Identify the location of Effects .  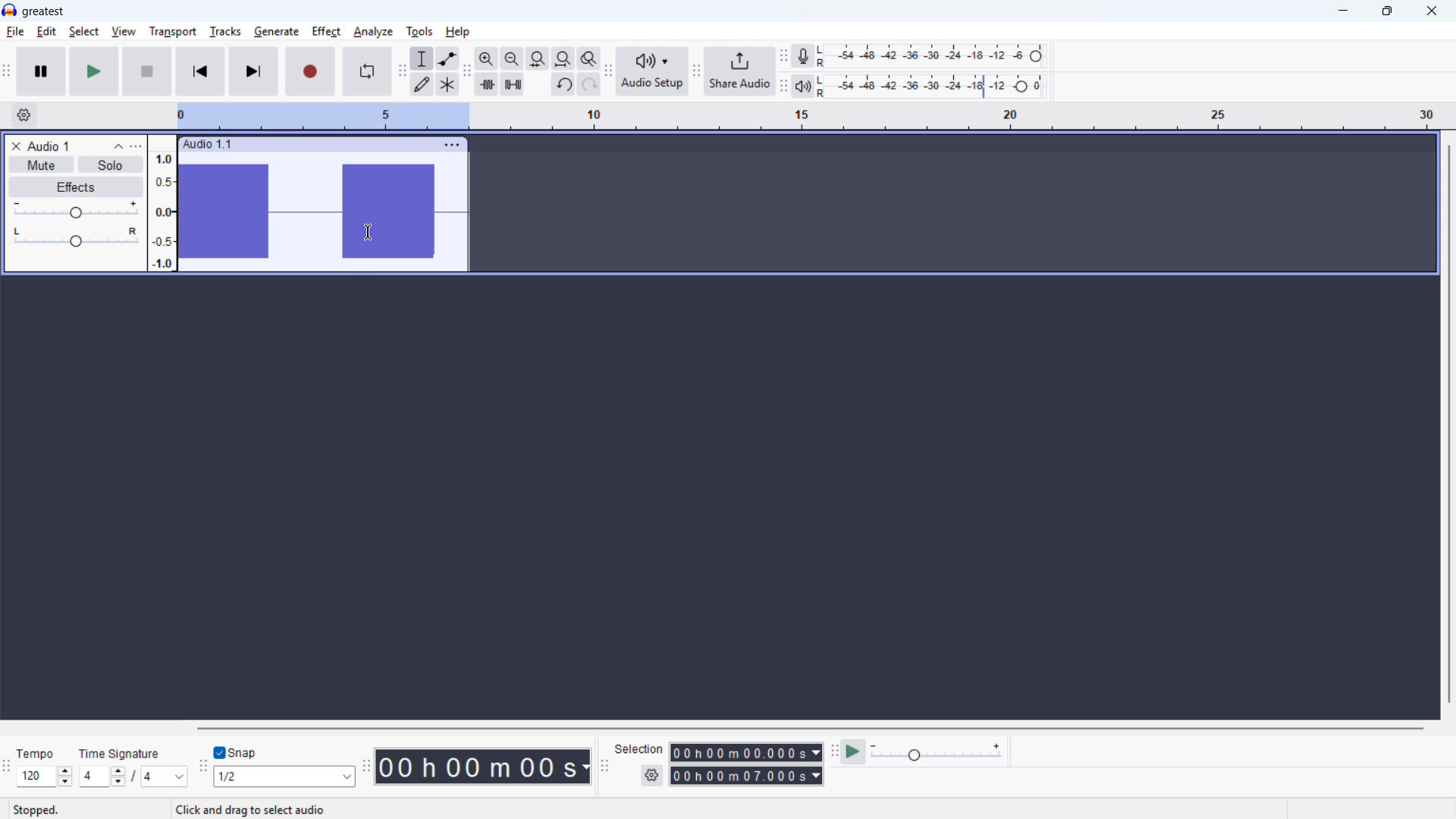
(77, 187).